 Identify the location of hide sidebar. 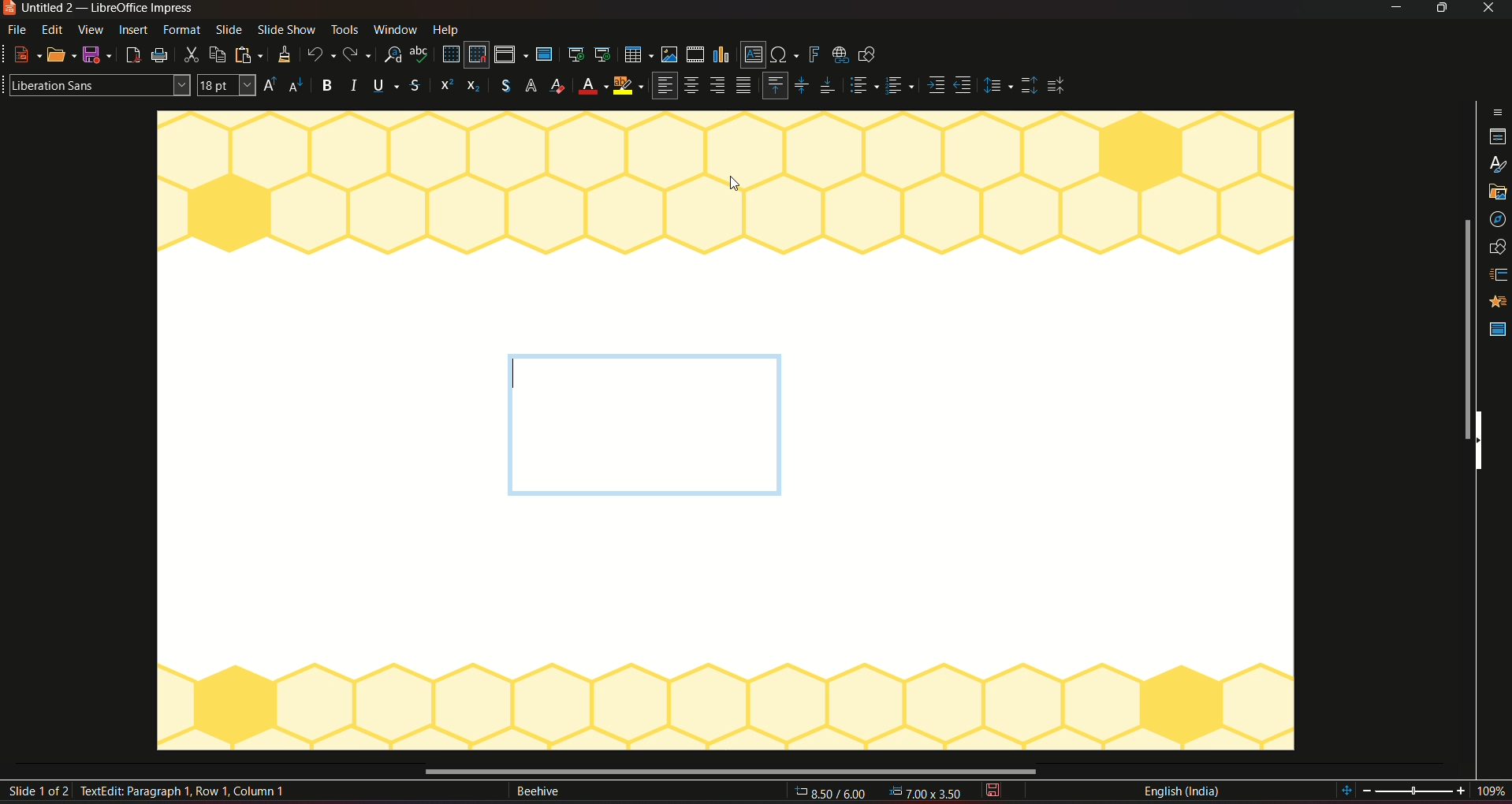
(1484, 441).